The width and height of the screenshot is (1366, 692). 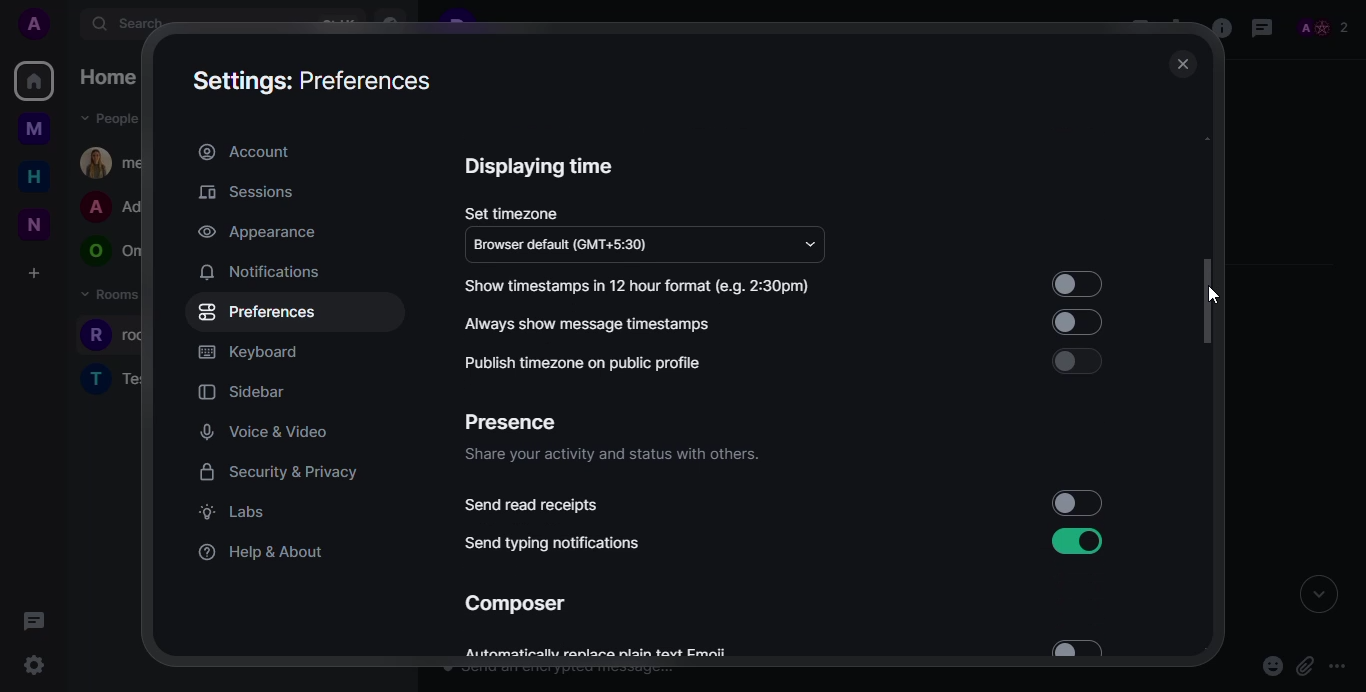 I want to click on Browser default (GMT+5:30), so click(x=562, y=244).